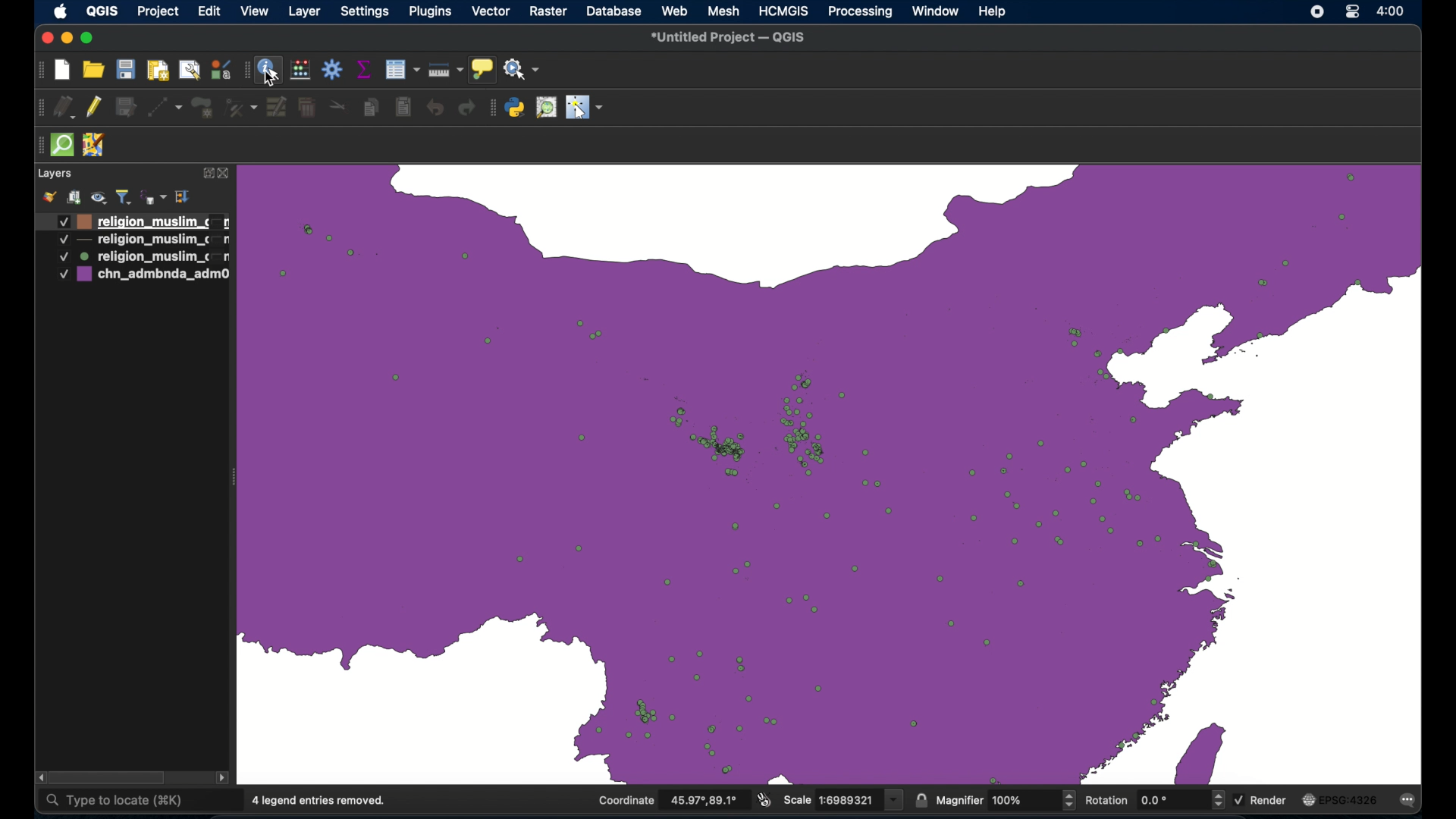 This screenshot has height=819, width=1456. What do you see at coordinates (370, 107) in the screenshot?
I see `copy features` at bounding box center [370, 107].